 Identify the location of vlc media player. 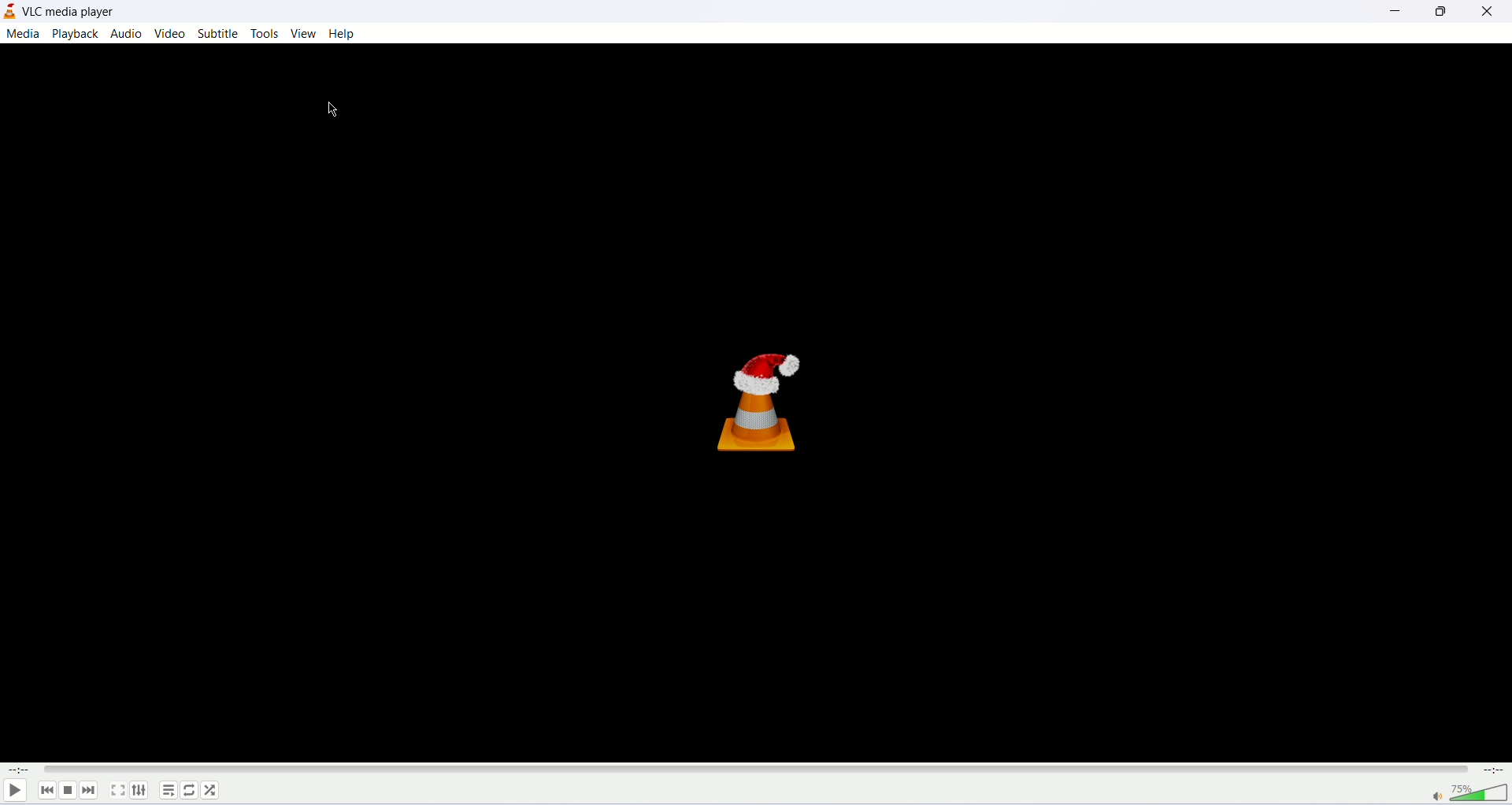
(73, 12).